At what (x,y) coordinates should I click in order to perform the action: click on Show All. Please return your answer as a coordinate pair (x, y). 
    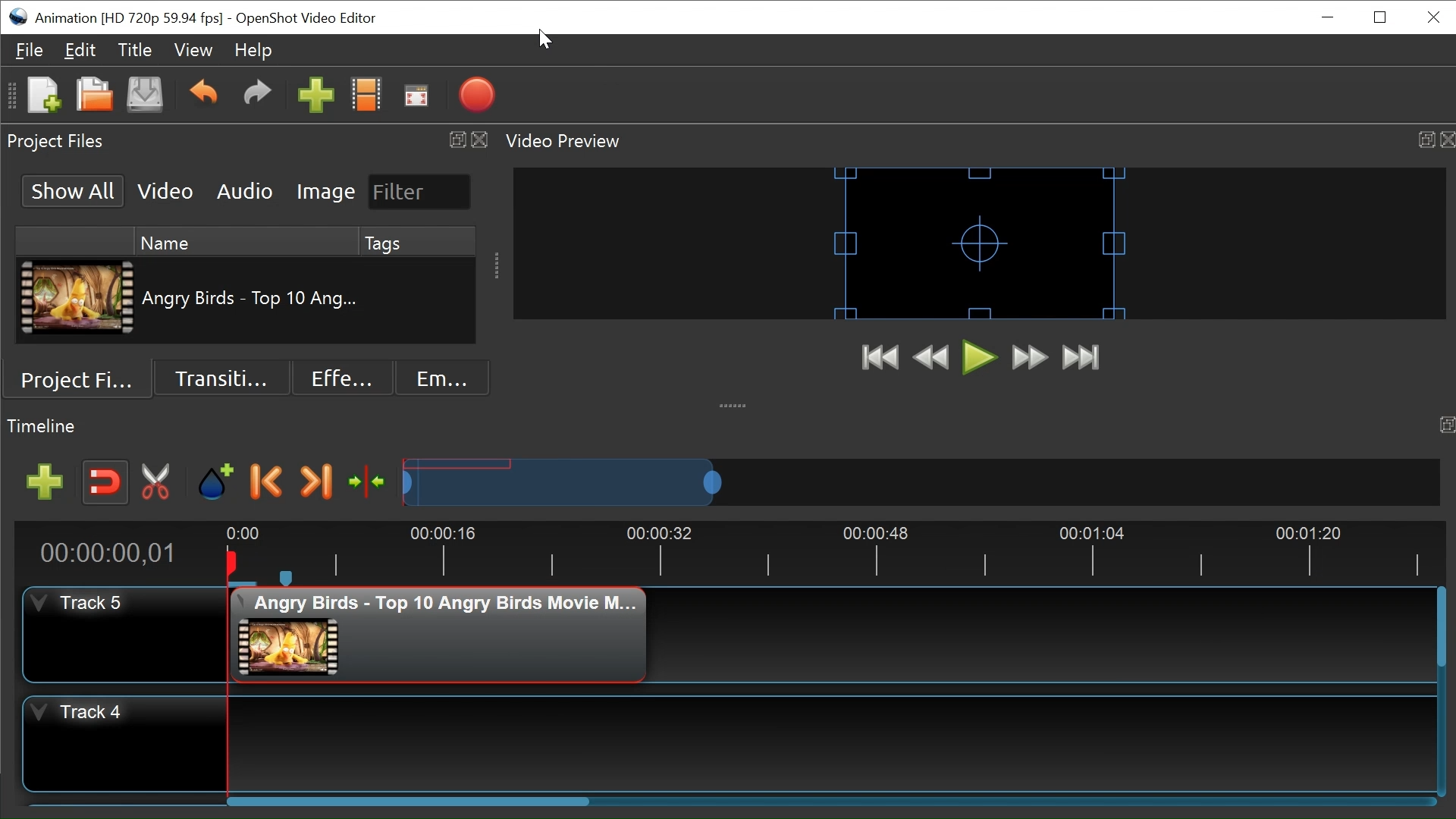
    Looking at the image, I should click on (72, 190).